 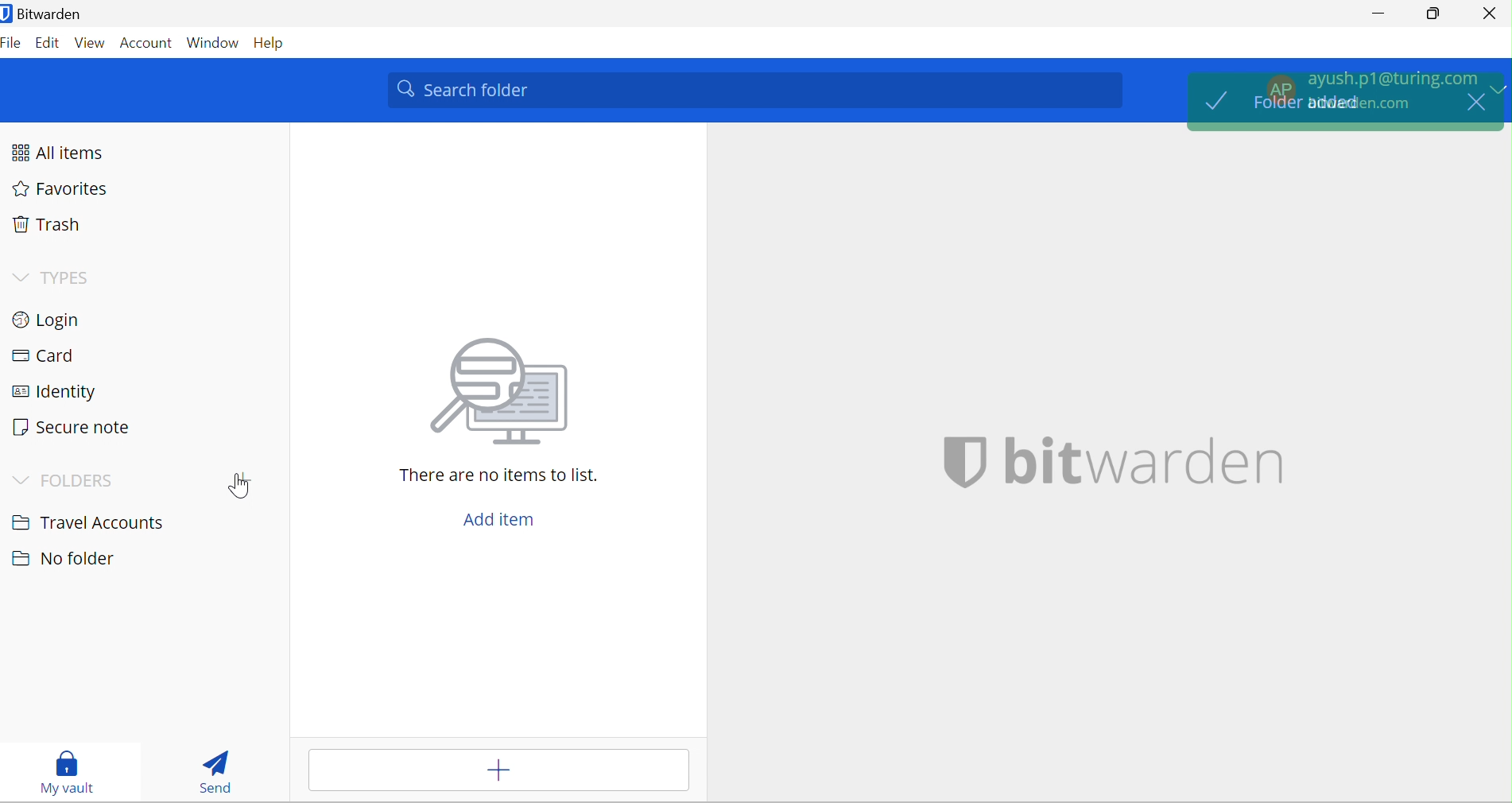 What do you see at coordinates (69, 772) in the screenshot?
I see `My Vault` at bounding box center [69, 772].